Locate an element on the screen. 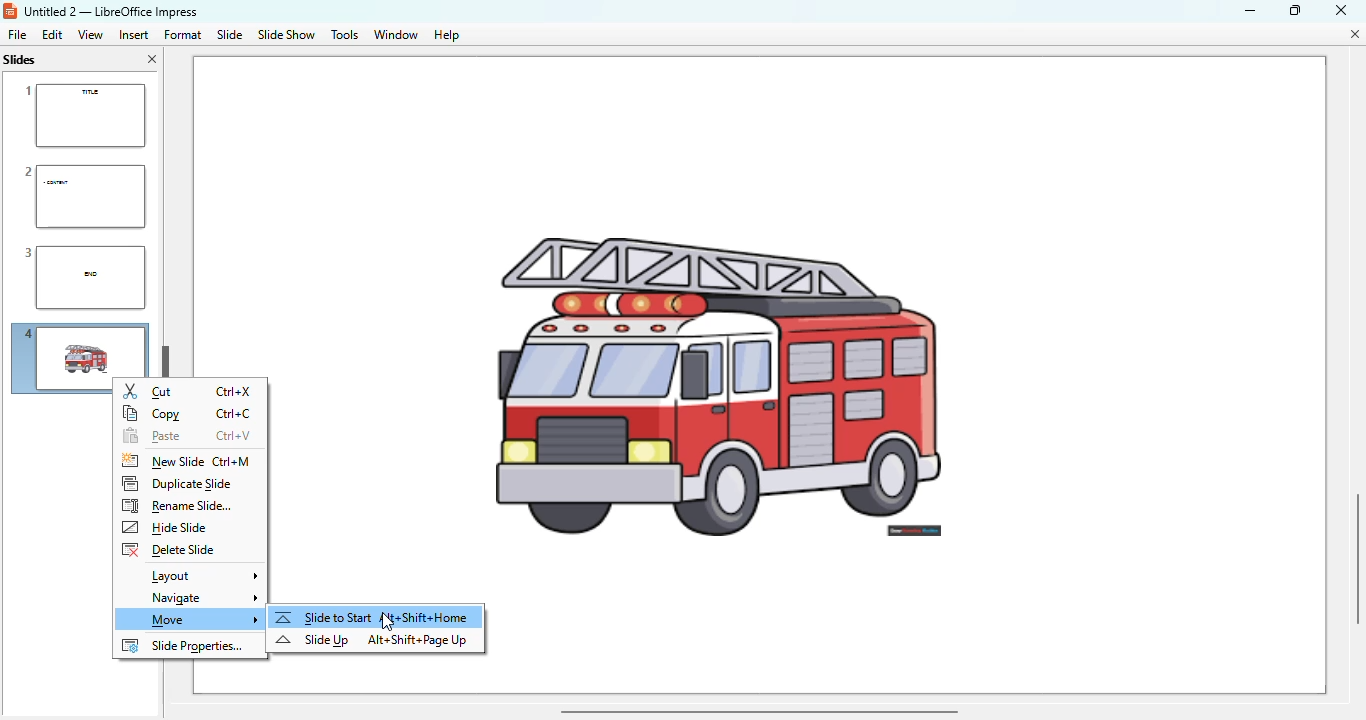 The image size is (1366, 720). logo is located at coordinates (10, 11).